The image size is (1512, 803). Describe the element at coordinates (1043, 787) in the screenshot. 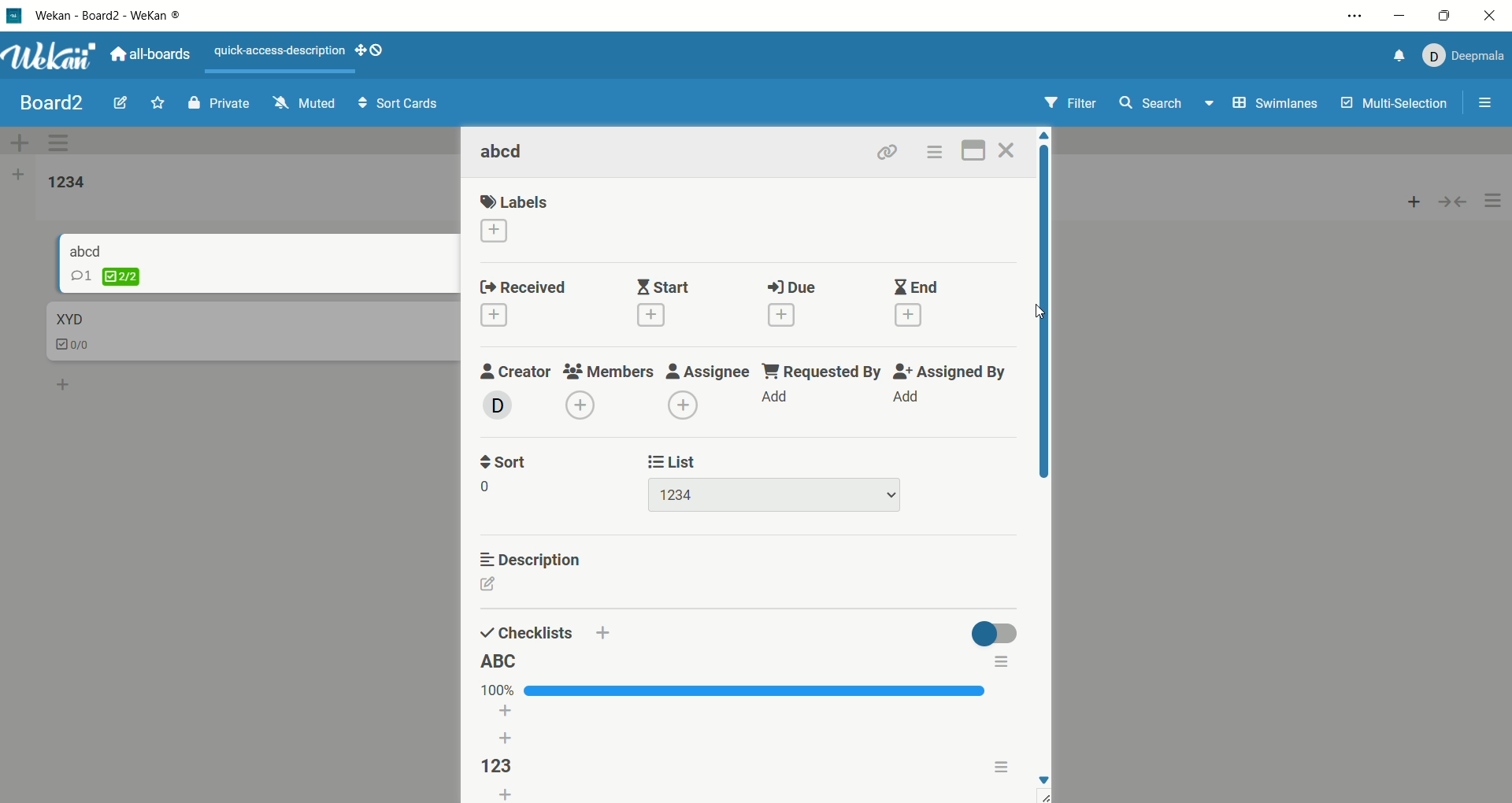

I see `down` at that location.